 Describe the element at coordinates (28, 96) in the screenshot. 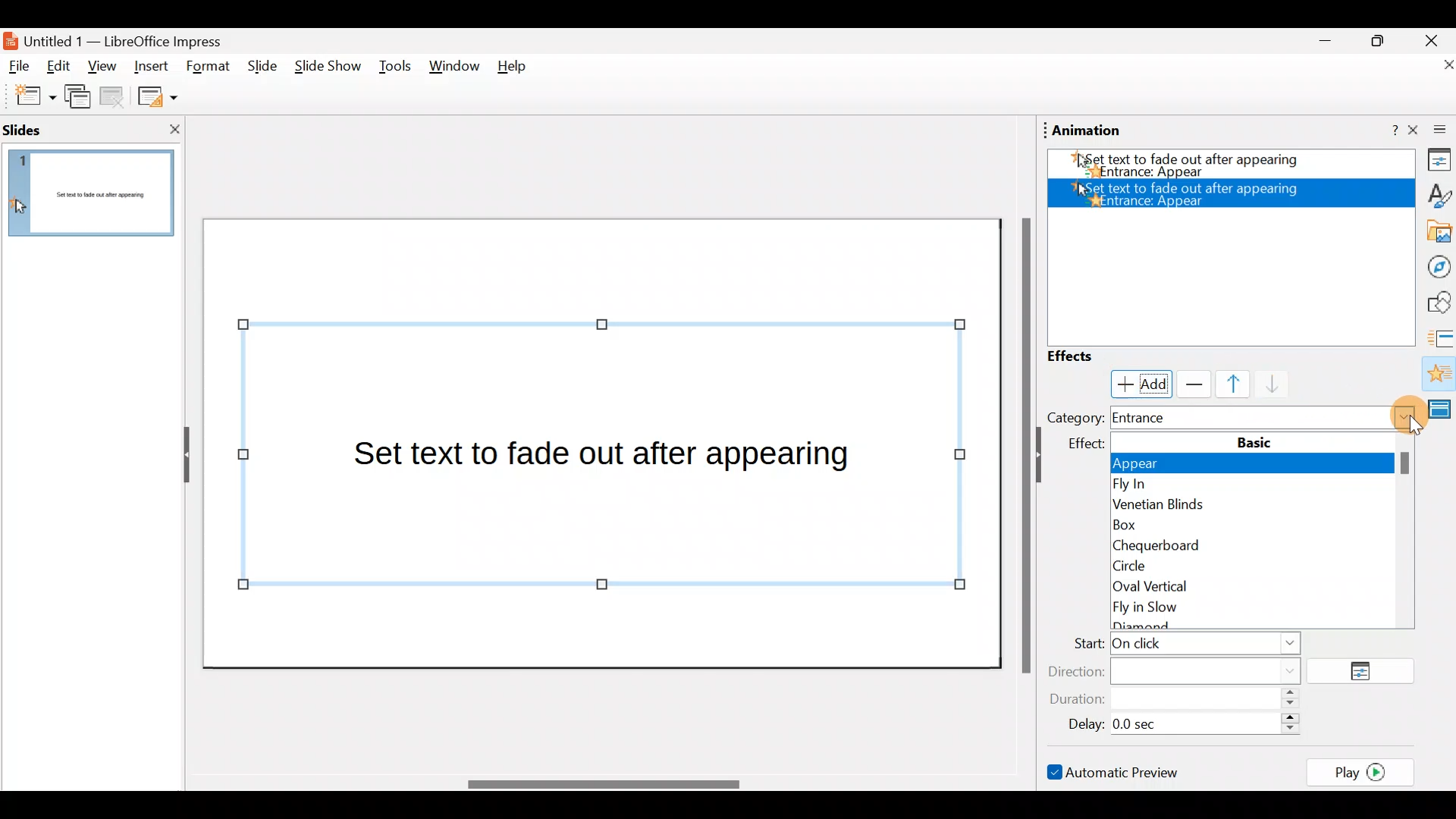

I see `New slide` at that location.